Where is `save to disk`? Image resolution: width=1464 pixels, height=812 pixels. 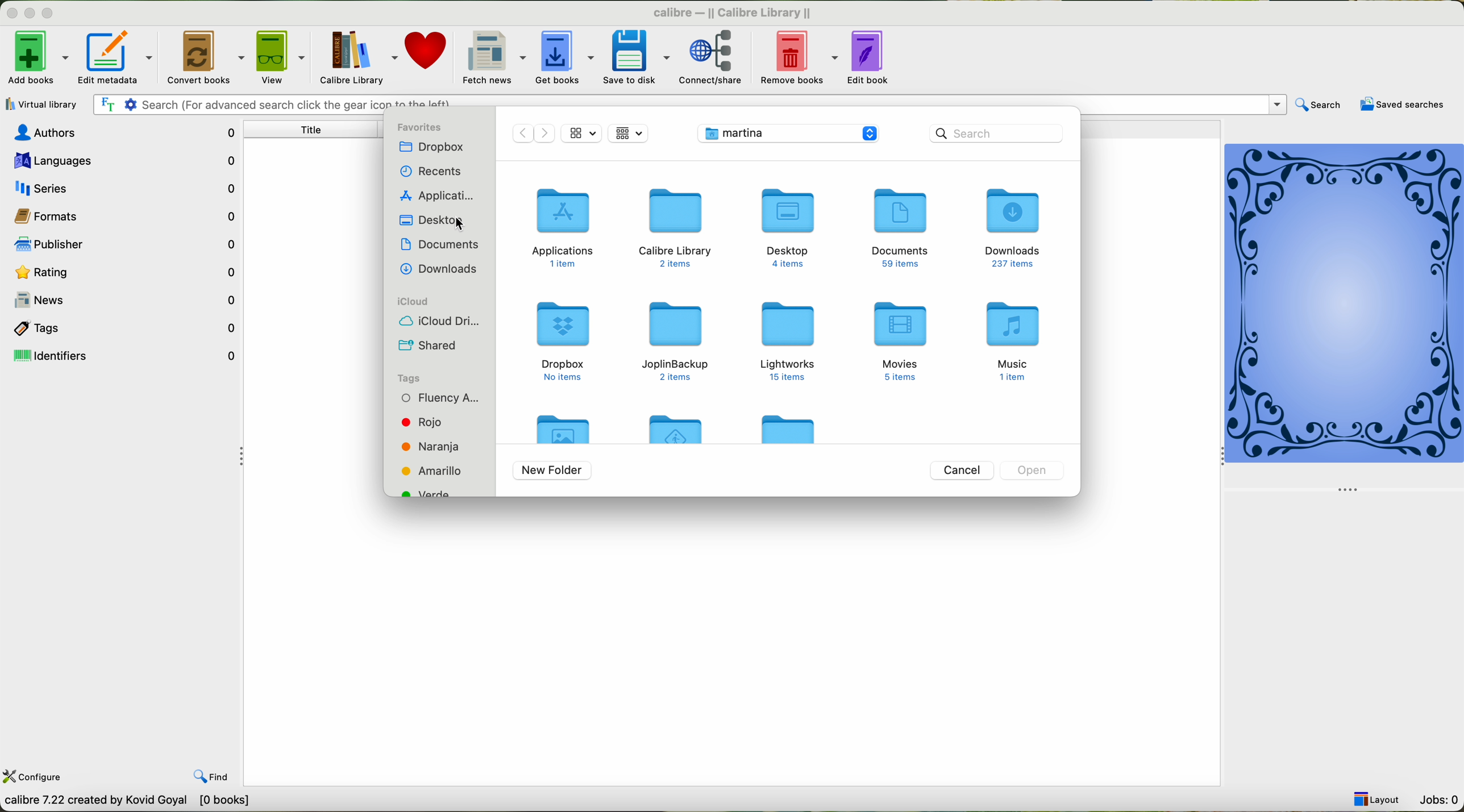 save to disk is located at coordinates (637, 58).